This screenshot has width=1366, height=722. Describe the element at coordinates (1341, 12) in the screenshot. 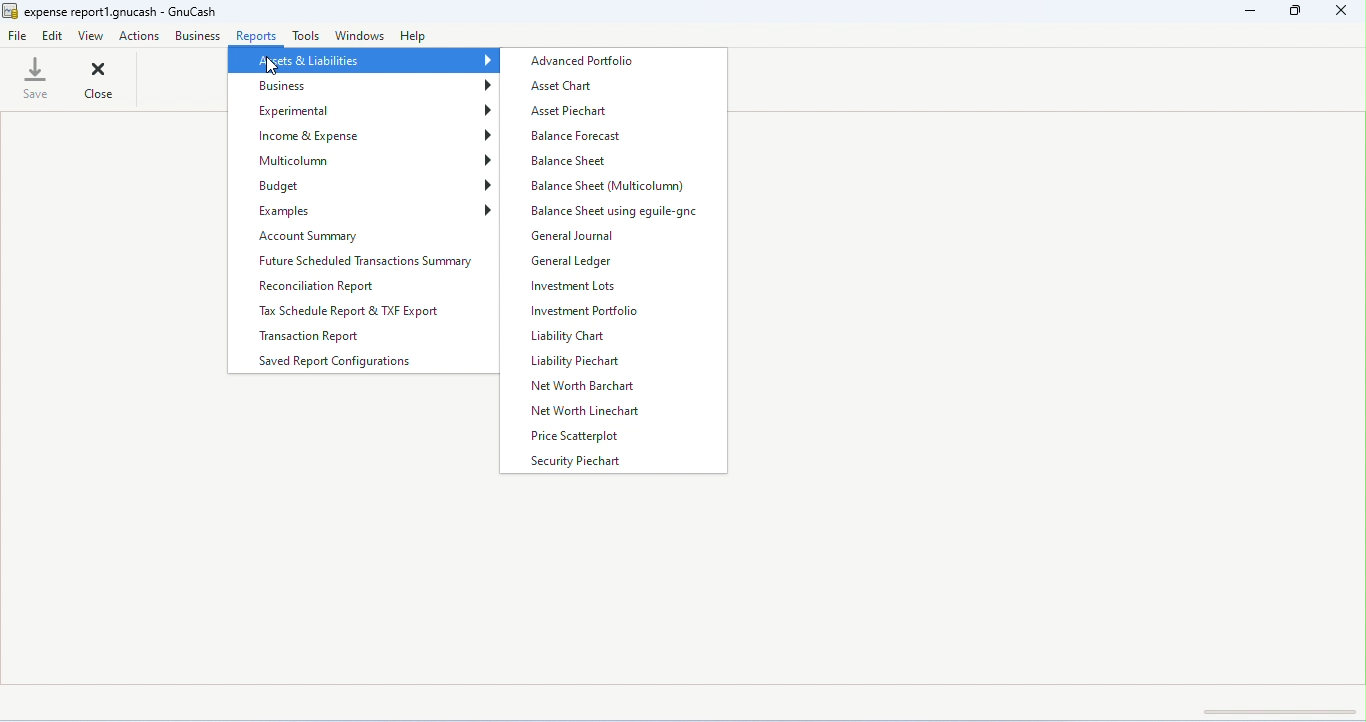

I see `close` at that location.